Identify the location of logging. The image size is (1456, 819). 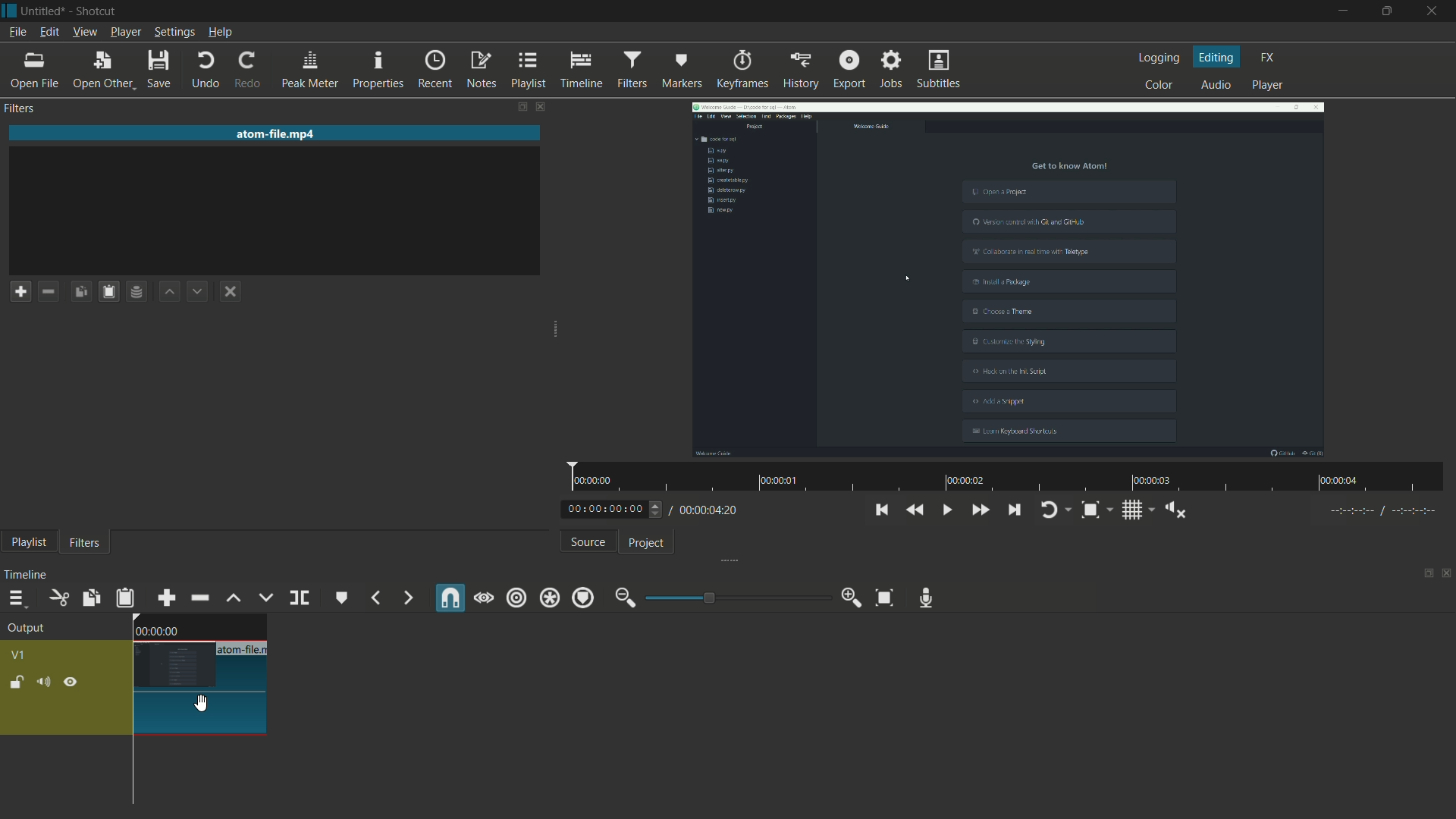
(1156, 58).